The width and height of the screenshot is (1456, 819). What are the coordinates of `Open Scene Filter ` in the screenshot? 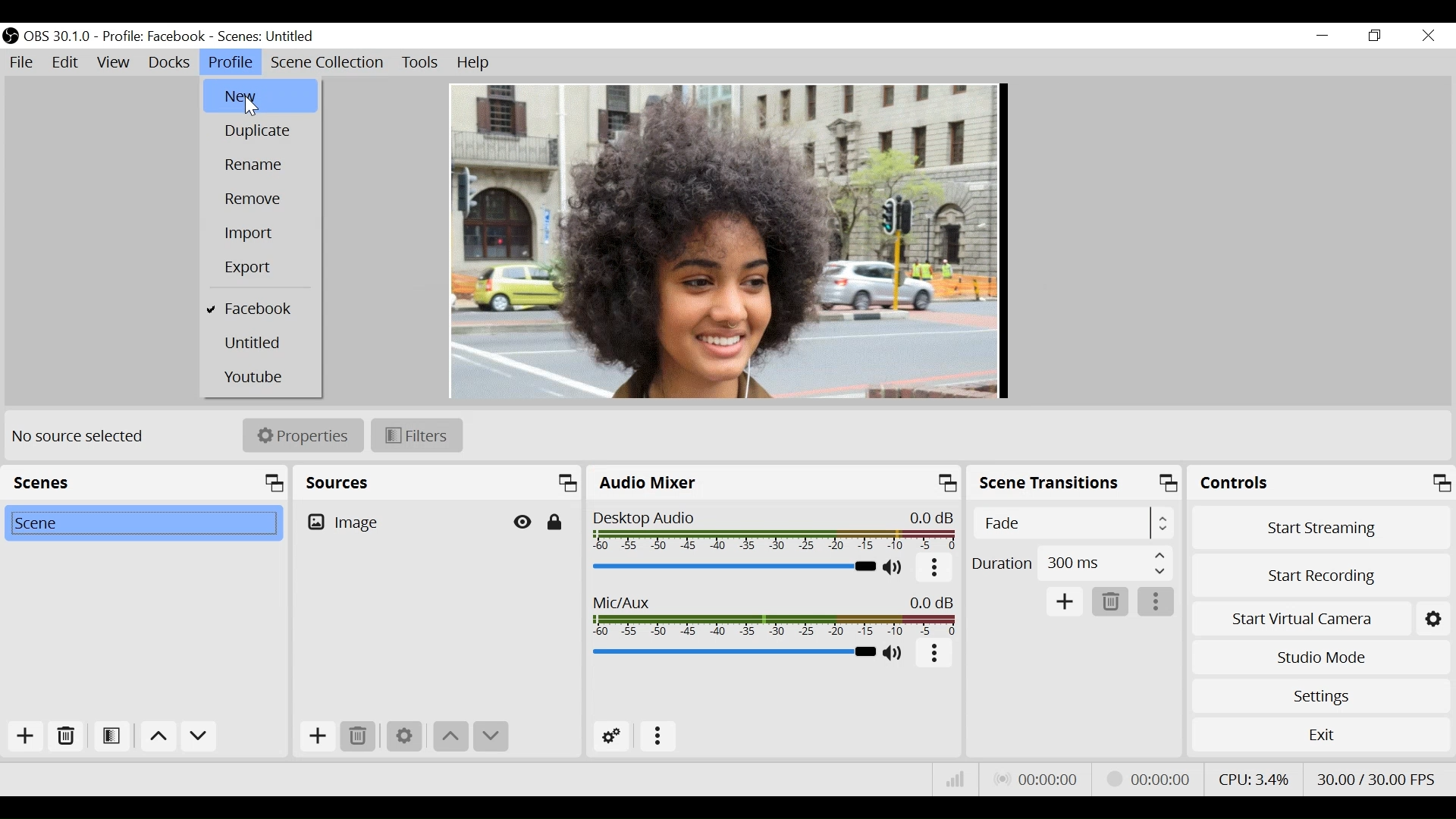 It's located at (108, 739).